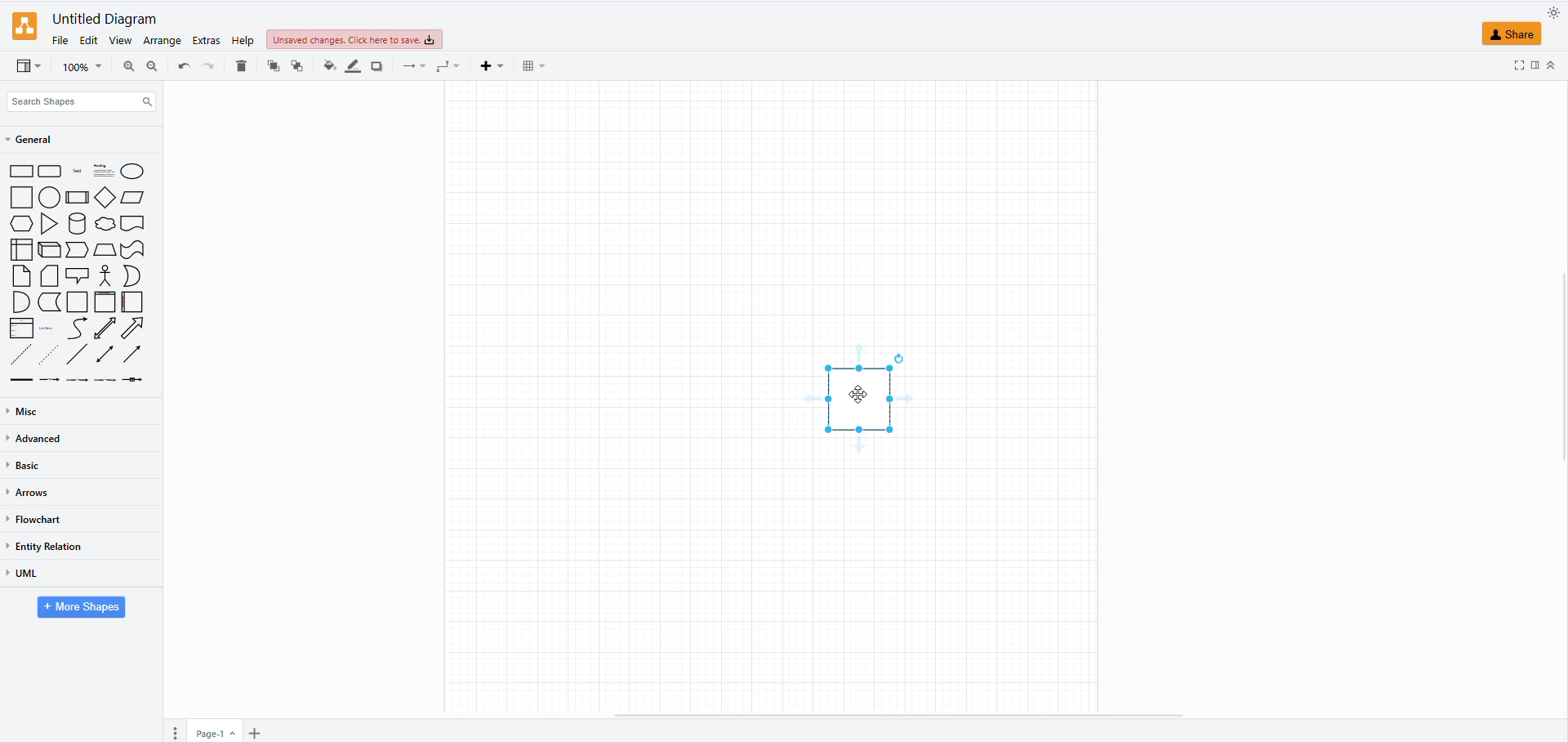 Image resolution: width=1568 pixels, height=742 pixels. Describe the element at coordinates (136, 382) in the screenshot. I see `connector with symbol` at that location.